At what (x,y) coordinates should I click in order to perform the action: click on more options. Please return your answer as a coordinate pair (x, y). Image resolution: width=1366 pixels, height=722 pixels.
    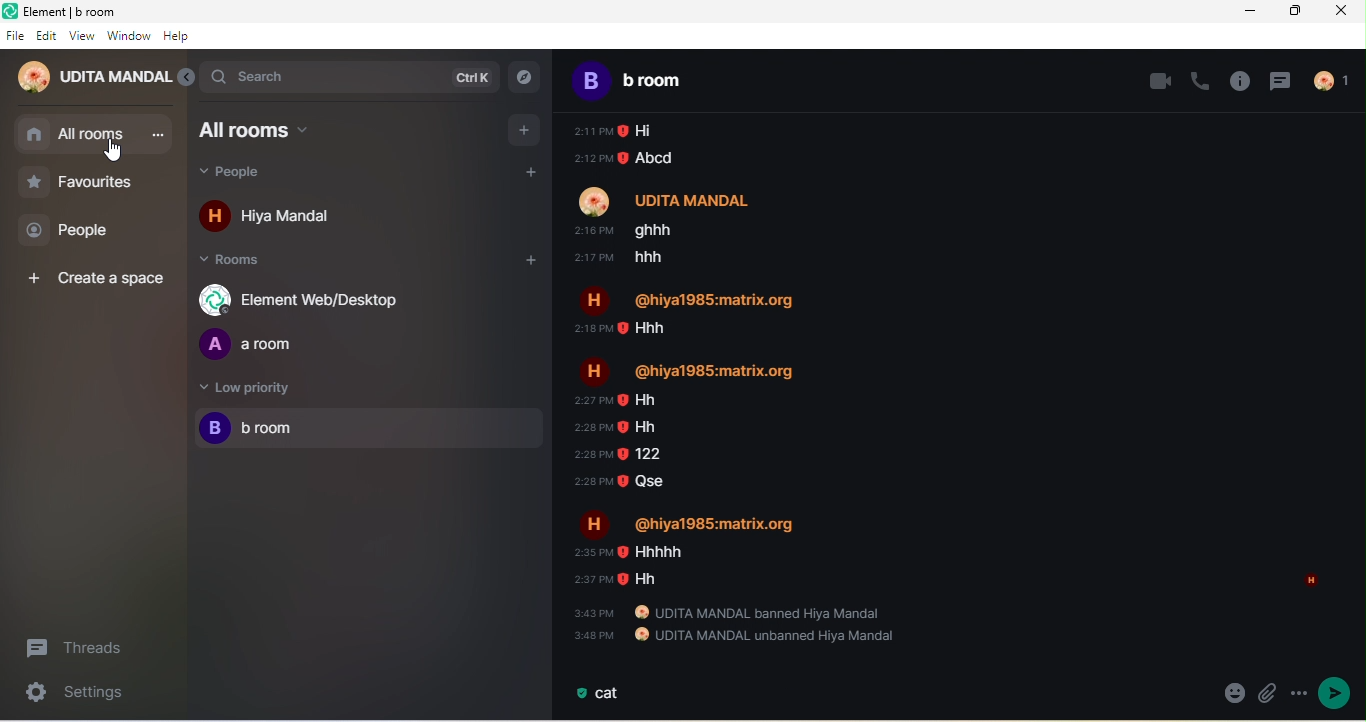
    Looking at the image, I should click on (156, 136).